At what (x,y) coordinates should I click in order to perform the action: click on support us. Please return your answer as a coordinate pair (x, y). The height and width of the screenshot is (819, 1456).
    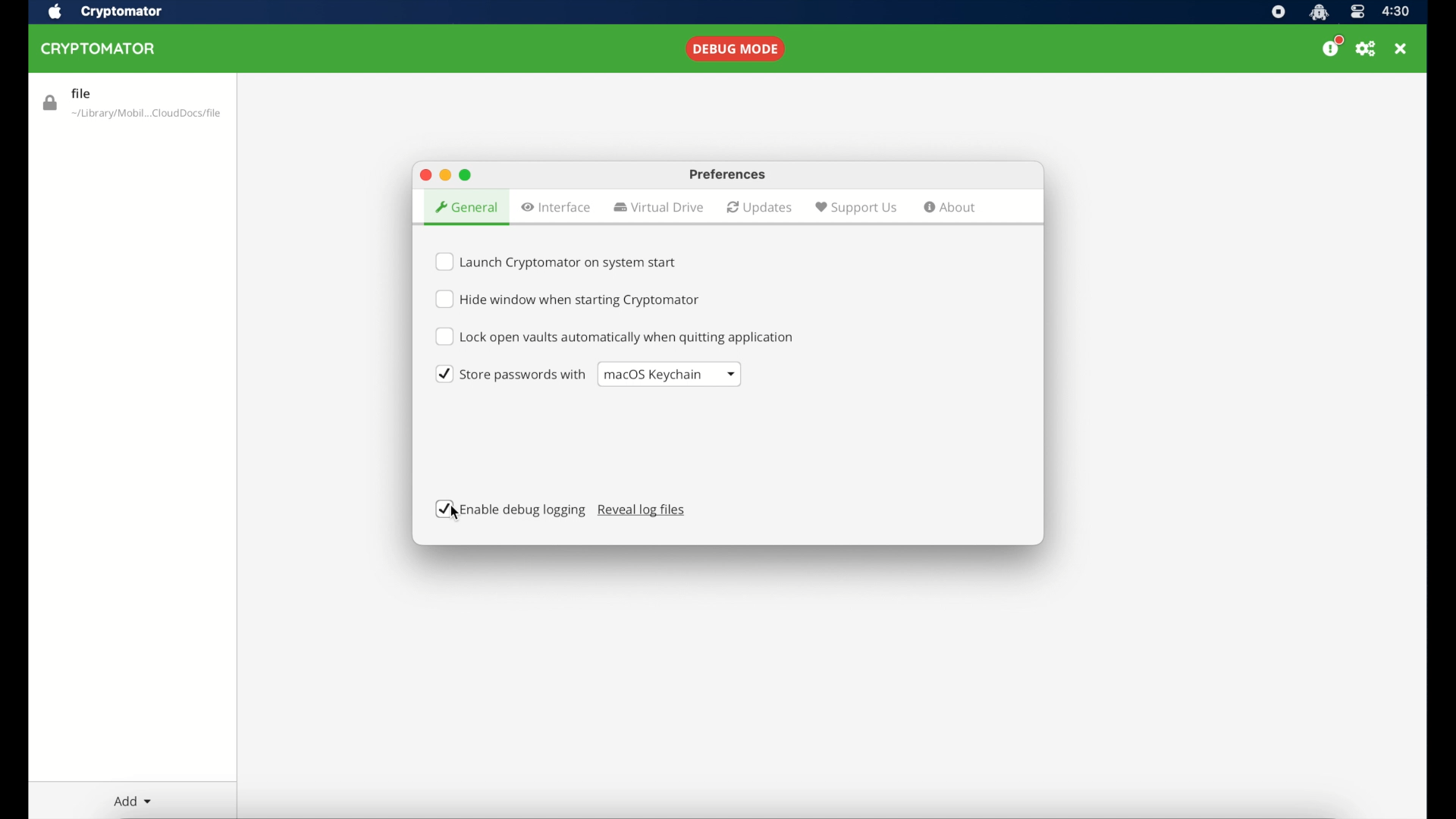
    Looking at the image, I should click on (855, 207).